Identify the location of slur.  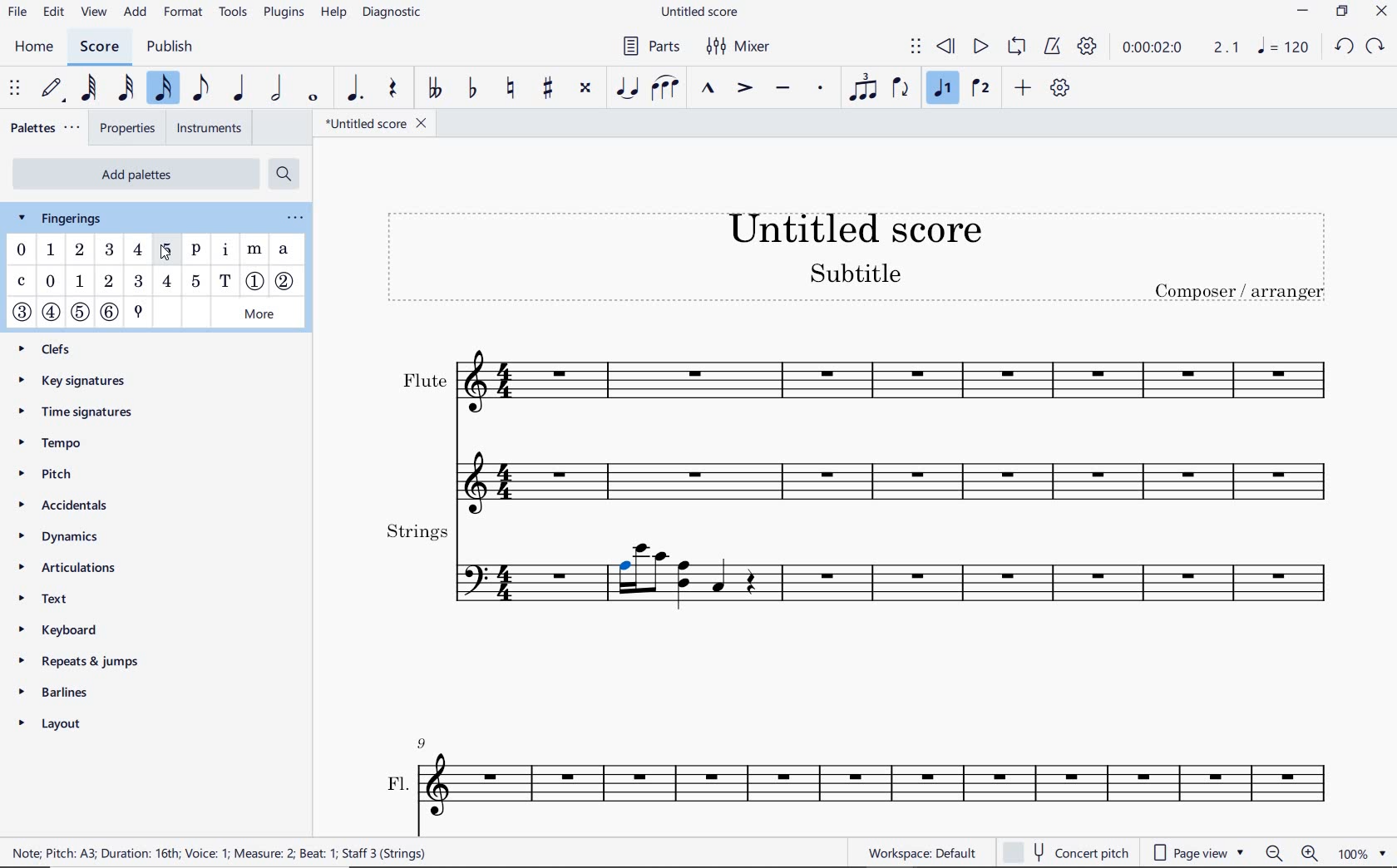
(664, 90).